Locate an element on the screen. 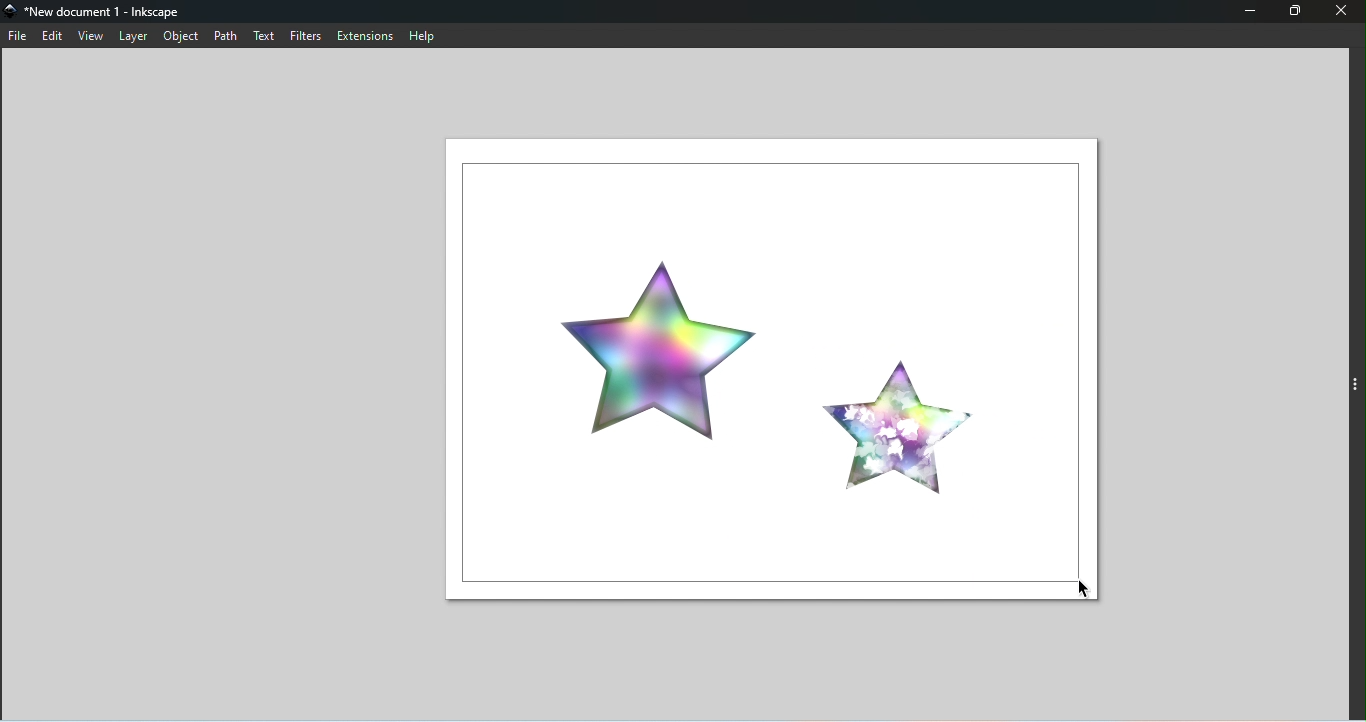 This screenshot has height=722, width=1366. Canvas is located at coordinates (775, 370).